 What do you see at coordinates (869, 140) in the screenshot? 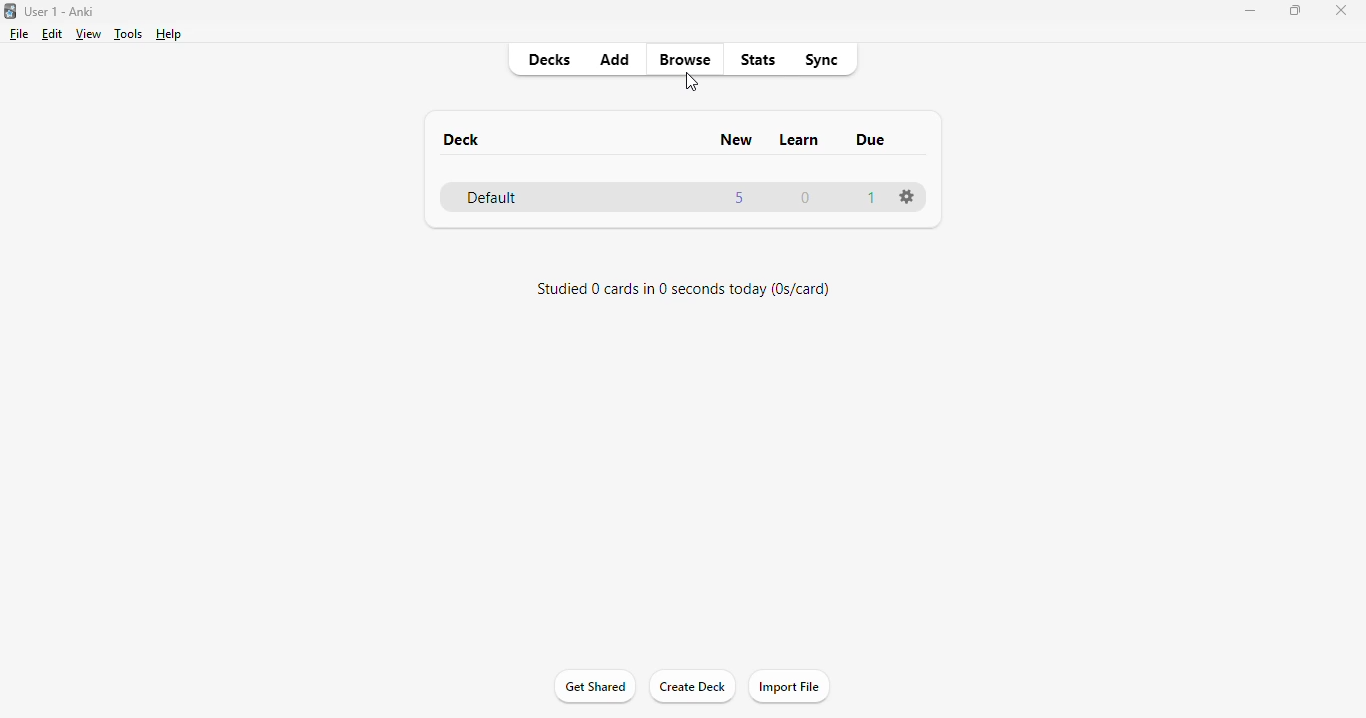
I see `due` at bounding box center [869, 140].